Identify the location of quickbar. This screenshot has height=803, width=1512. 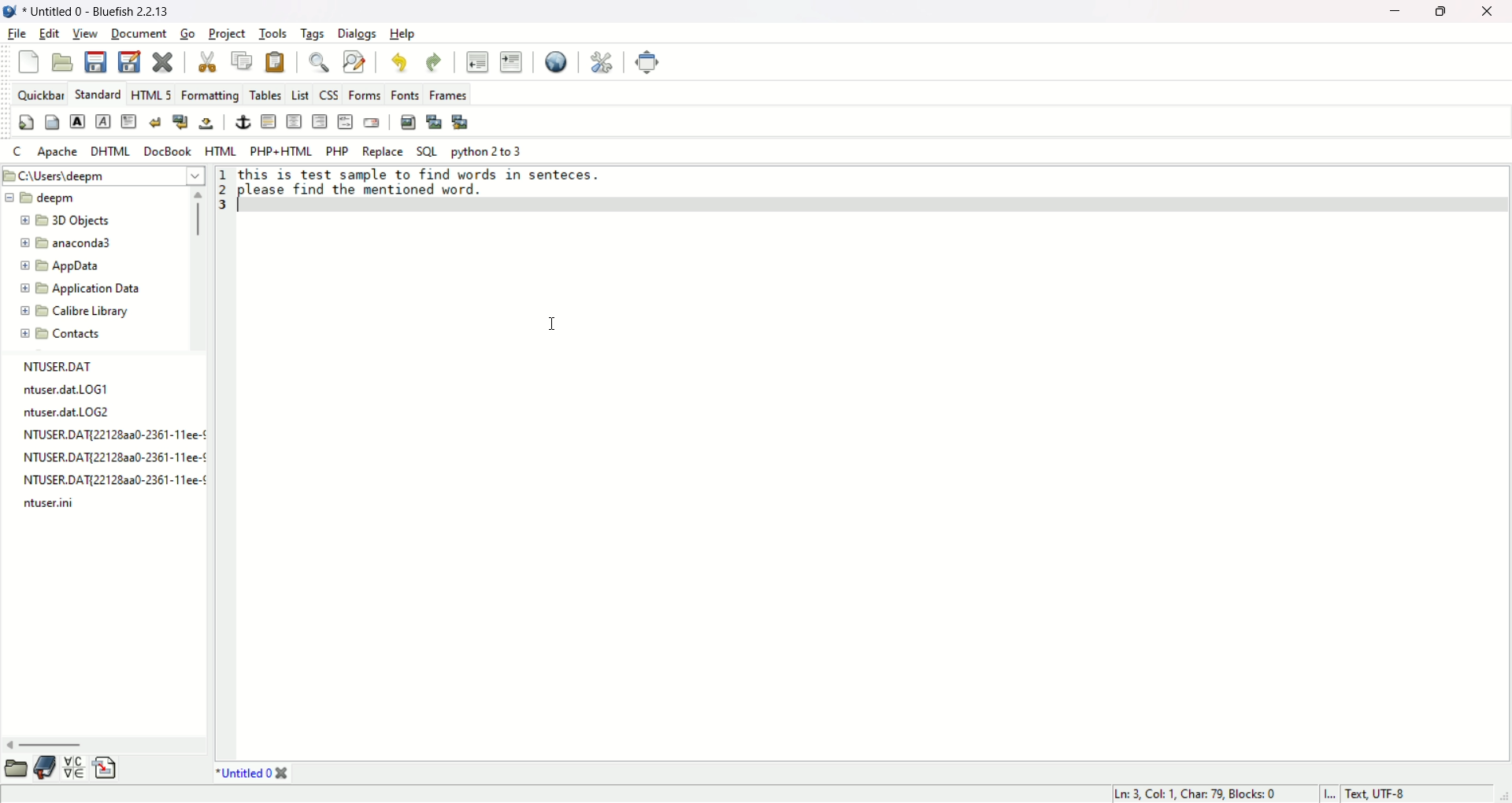
(39, 92).